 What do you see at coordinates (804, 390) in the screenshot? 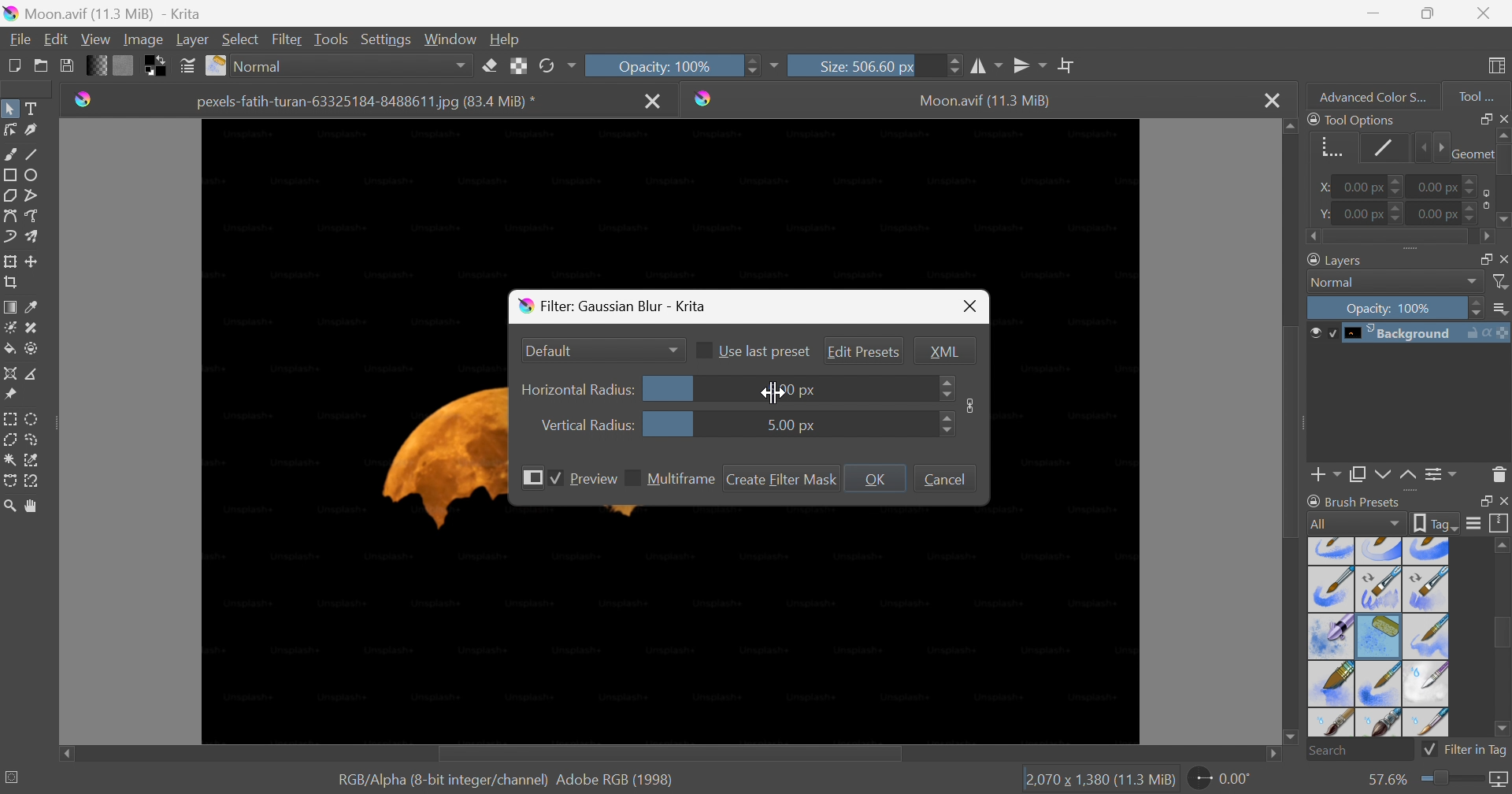
I see `0 px` at bounding box center [804, 390].